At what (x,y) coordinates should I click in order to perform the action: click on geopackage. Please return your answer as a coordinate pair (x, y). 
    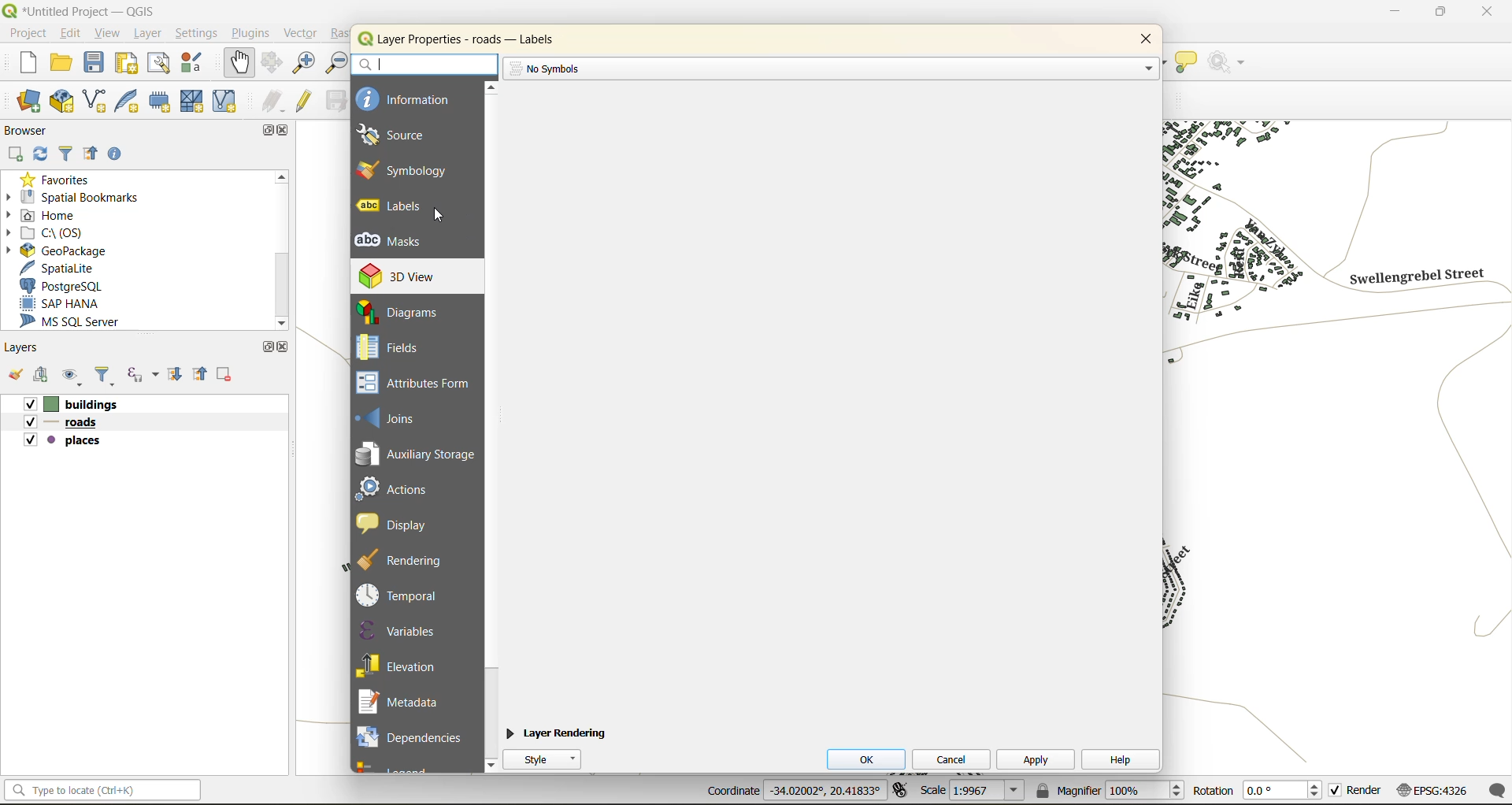
    Looking at the image, I should click on (65, 253).